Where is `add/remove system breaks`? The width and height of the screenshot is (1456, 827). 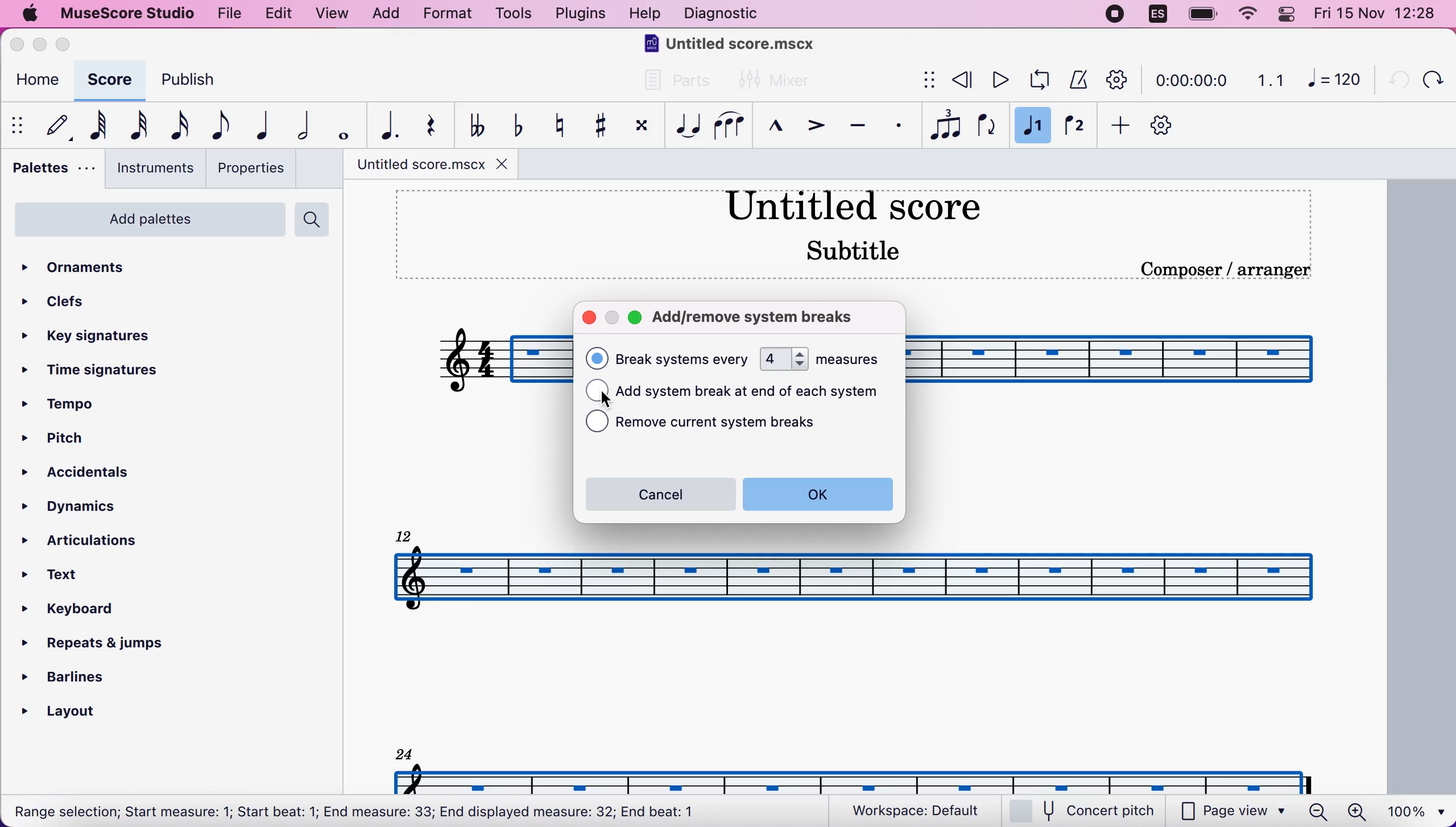
add/remove system breaks is located at coordinates (766, 316).